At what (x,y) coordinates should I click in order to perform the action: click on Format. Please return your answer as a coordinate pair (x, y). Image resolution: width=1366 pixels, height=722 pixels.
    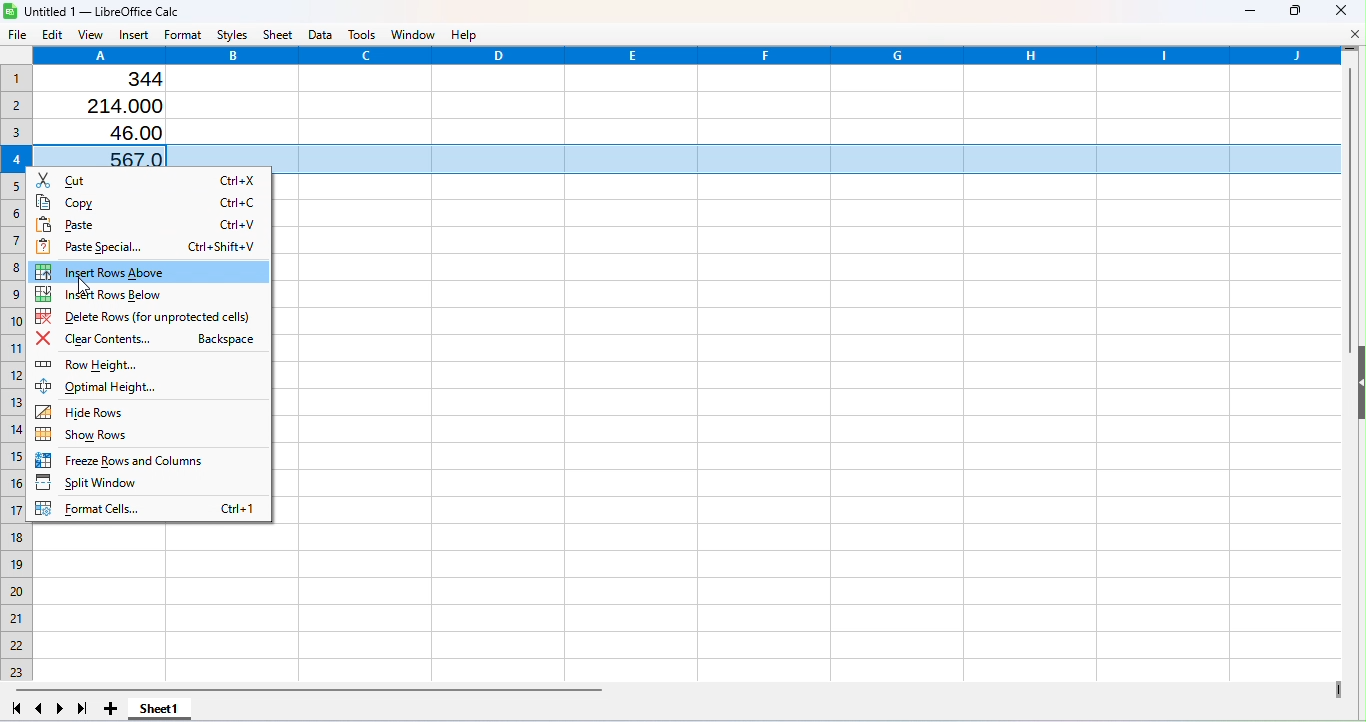
    Looking at the image, I should click on (185, 34).